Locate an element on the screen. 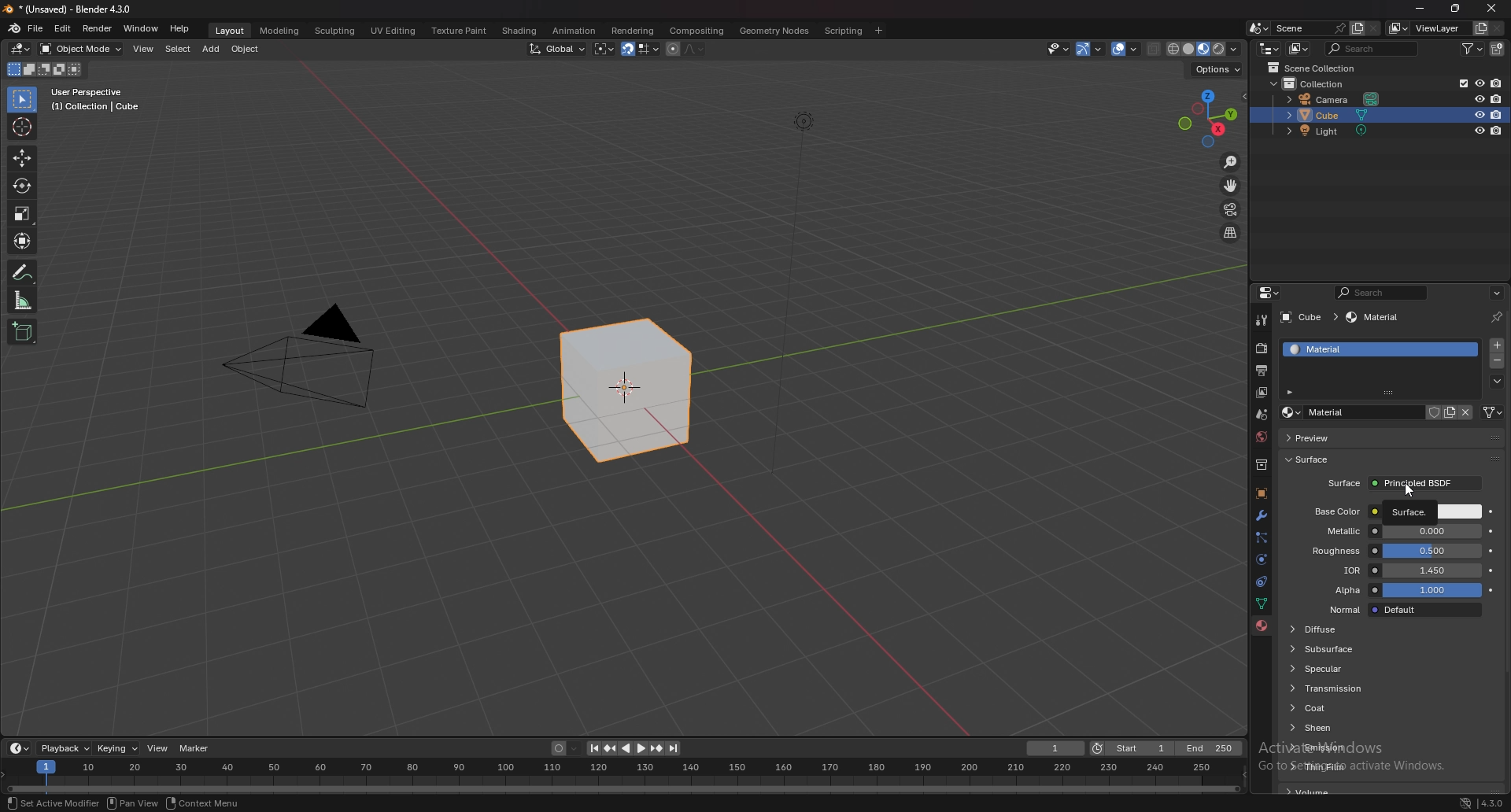 This screenshot has height=812, width=1511. keying is located at coordinates (118, 747).